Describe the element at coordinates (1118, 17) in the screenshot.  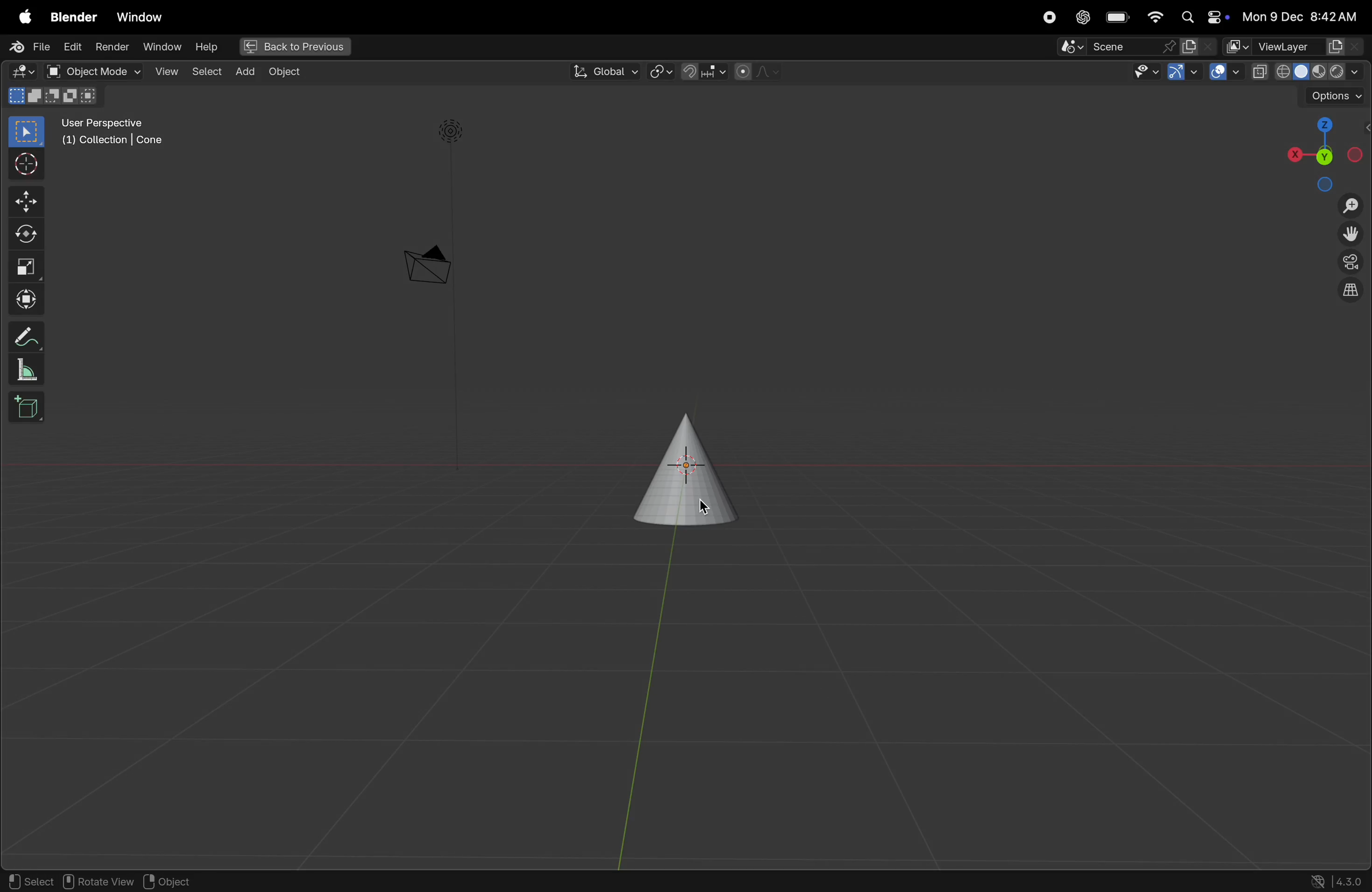
I see `battery` at that location.